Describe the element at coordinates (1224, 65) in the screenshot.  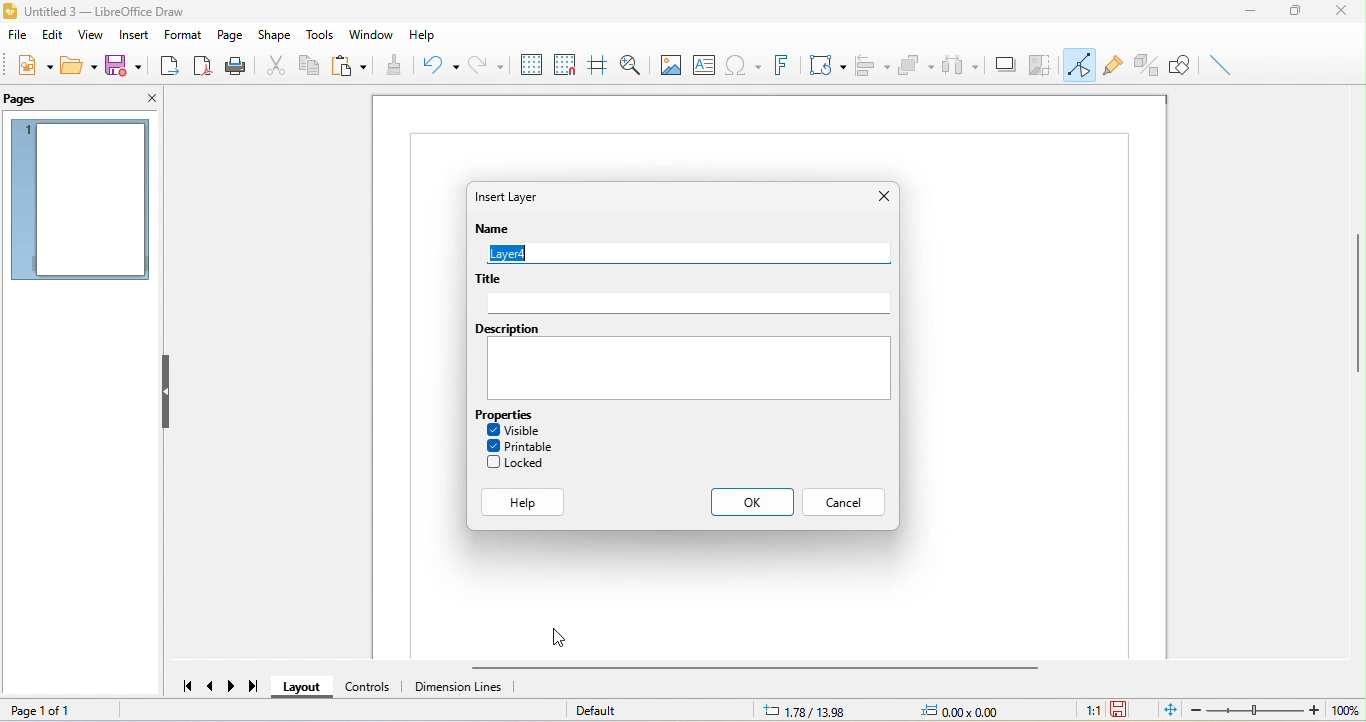
I see `insert line` at that location.